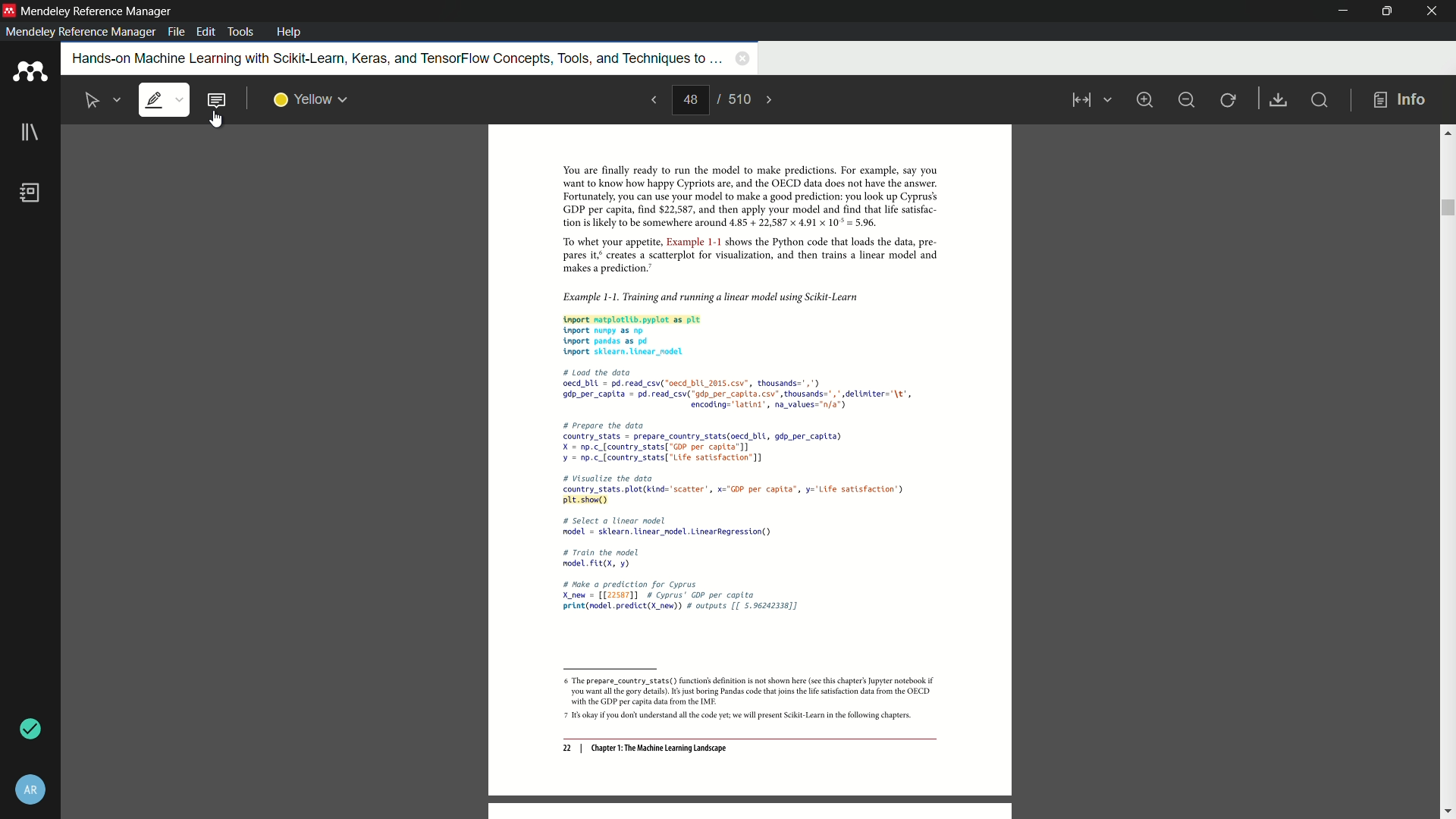 The height and width of the screenshot is (819, 1456). What do you see at coordinates (240, 32) in the screenshot?
I see `tools menu` at bounding box center [240, 32].